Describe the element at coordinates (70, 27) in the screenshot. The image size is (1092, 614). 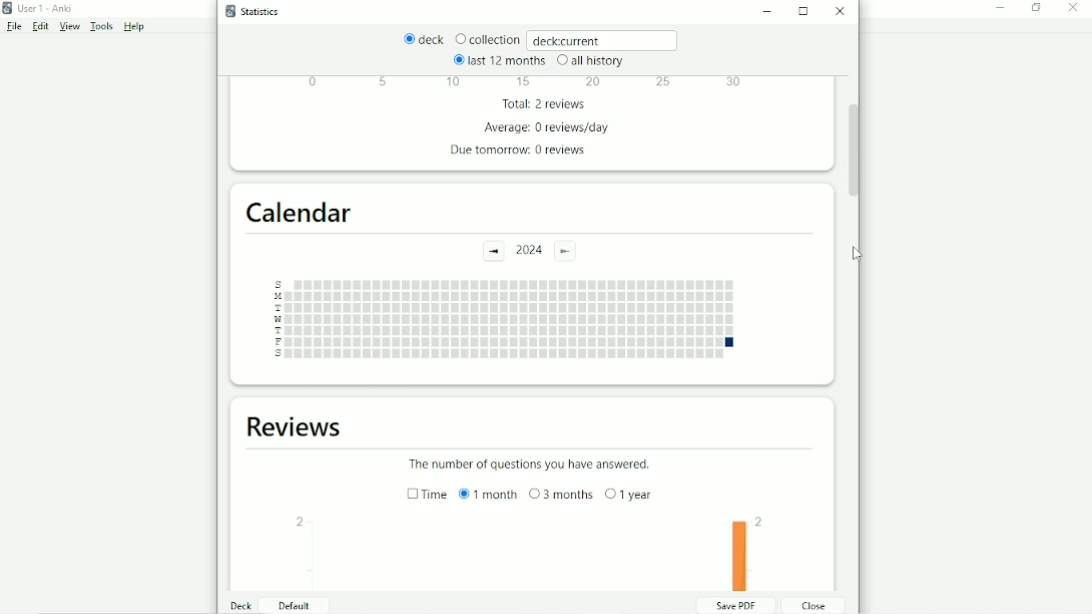
I see `View` at that location.